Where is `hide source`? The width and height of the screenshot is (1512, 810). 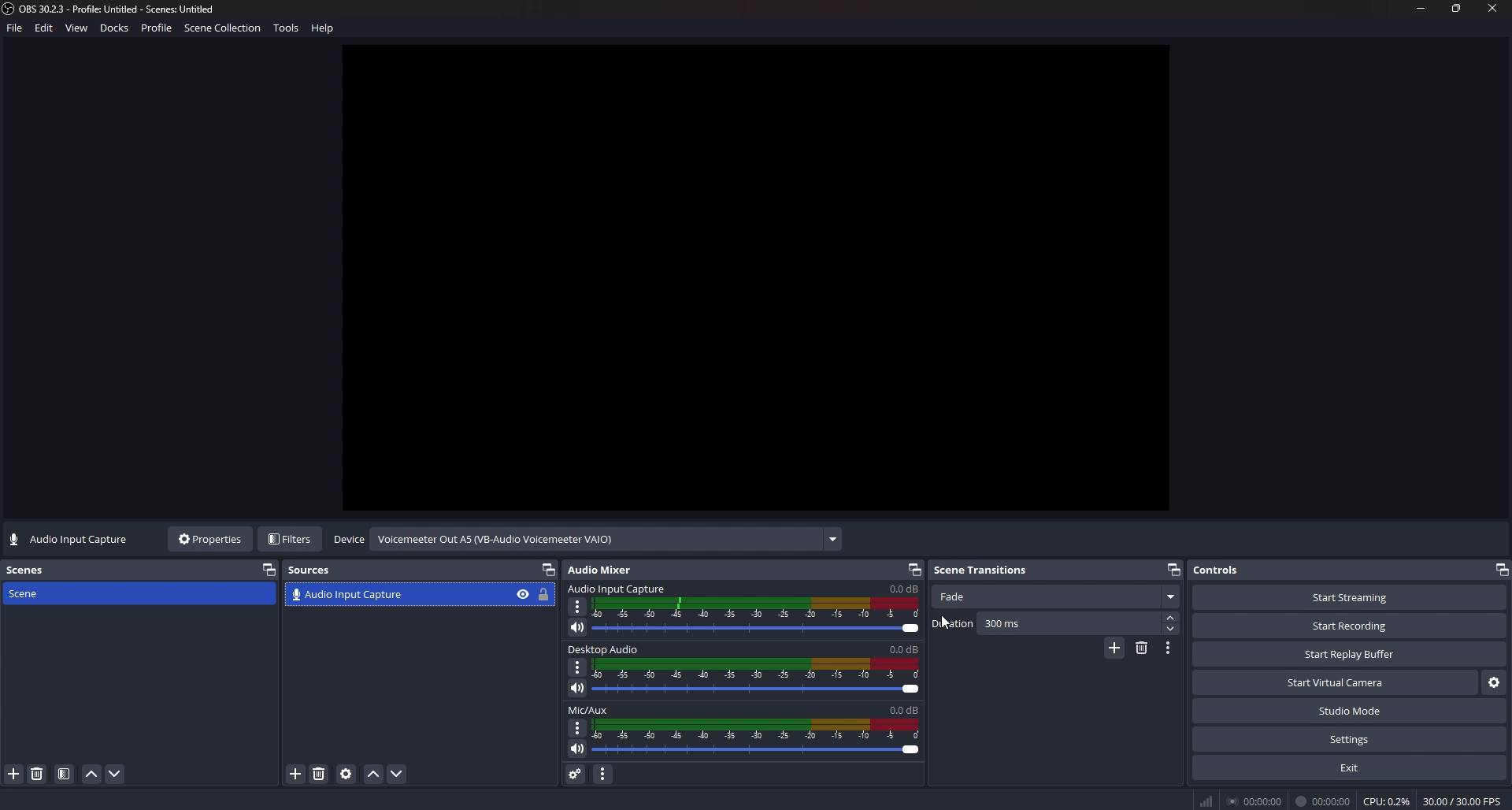 hide source is located at coordinates (523, 595).